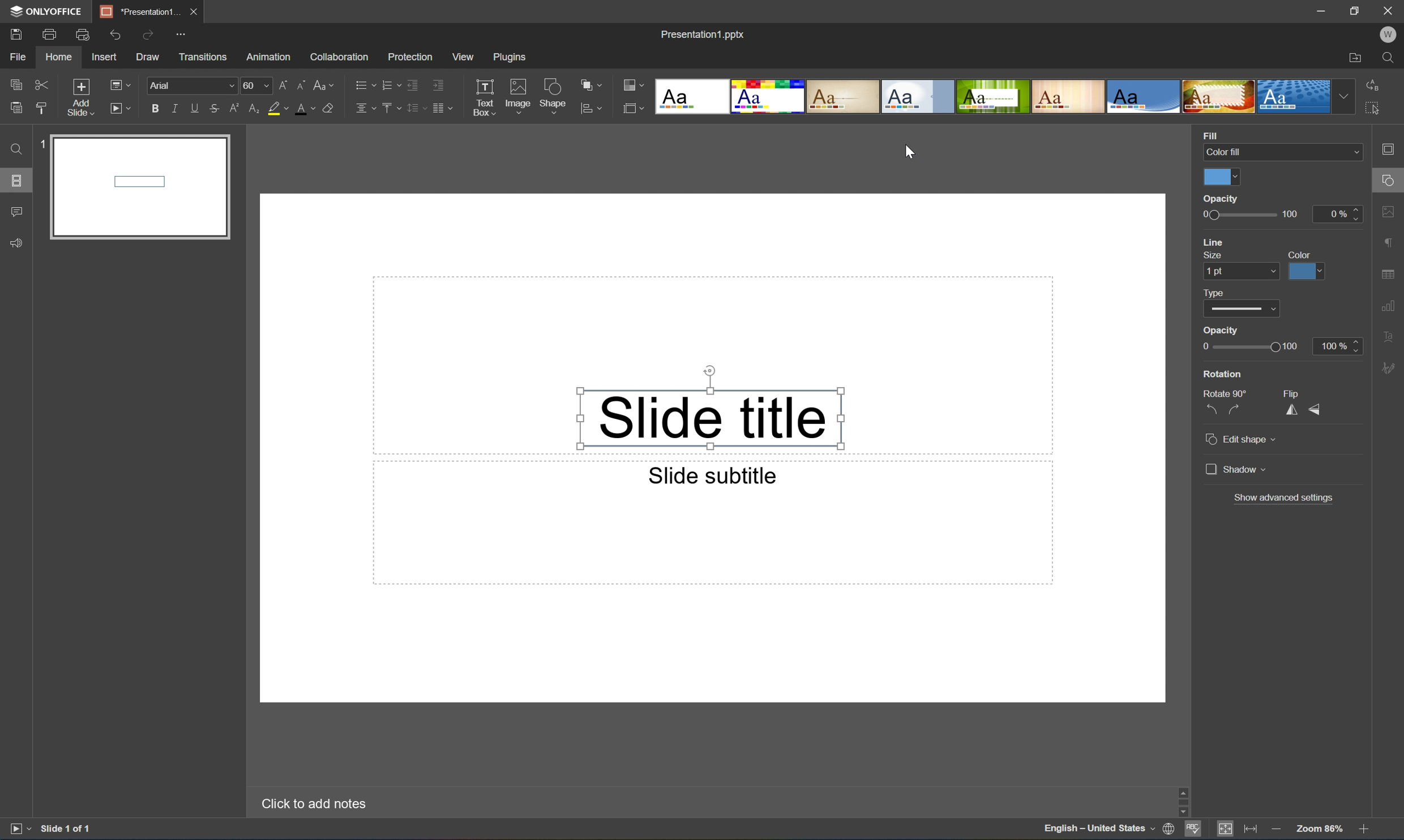  Describe the element at coordinates (702, 37) in the screenshot. I see `Presentation1.pptx` at that location.